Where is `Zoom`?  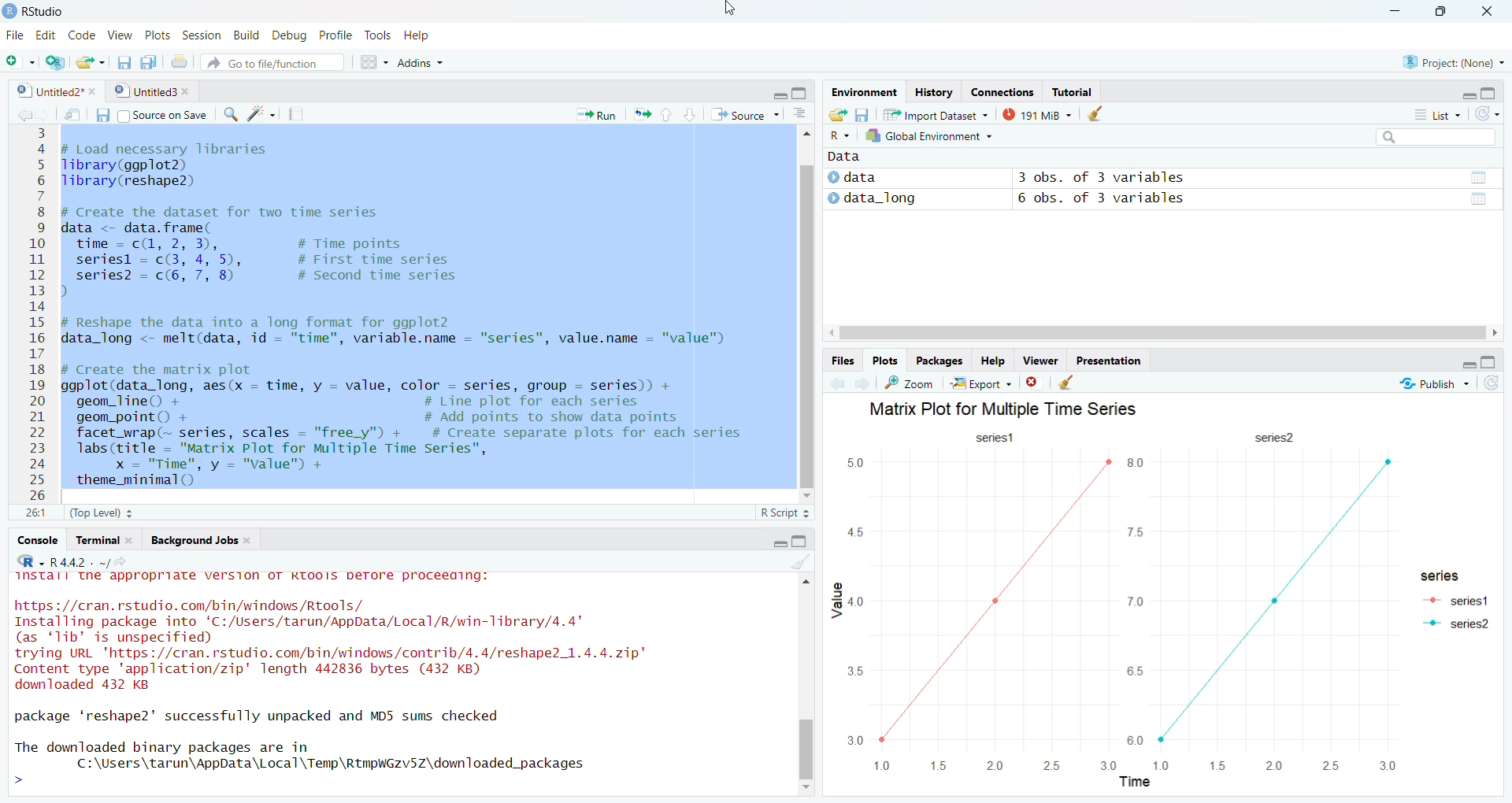 Zoom is located at coordinates (909, 383).